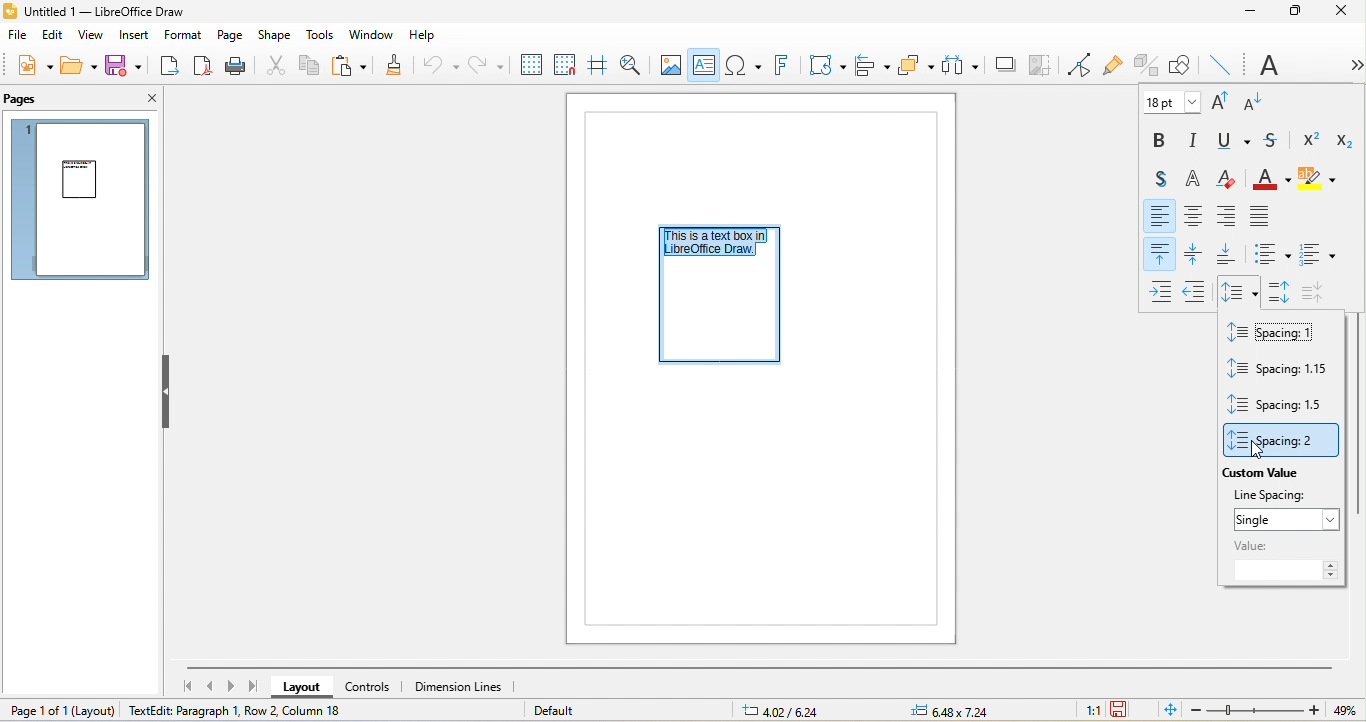  I want to click on close, so click(142, 97).